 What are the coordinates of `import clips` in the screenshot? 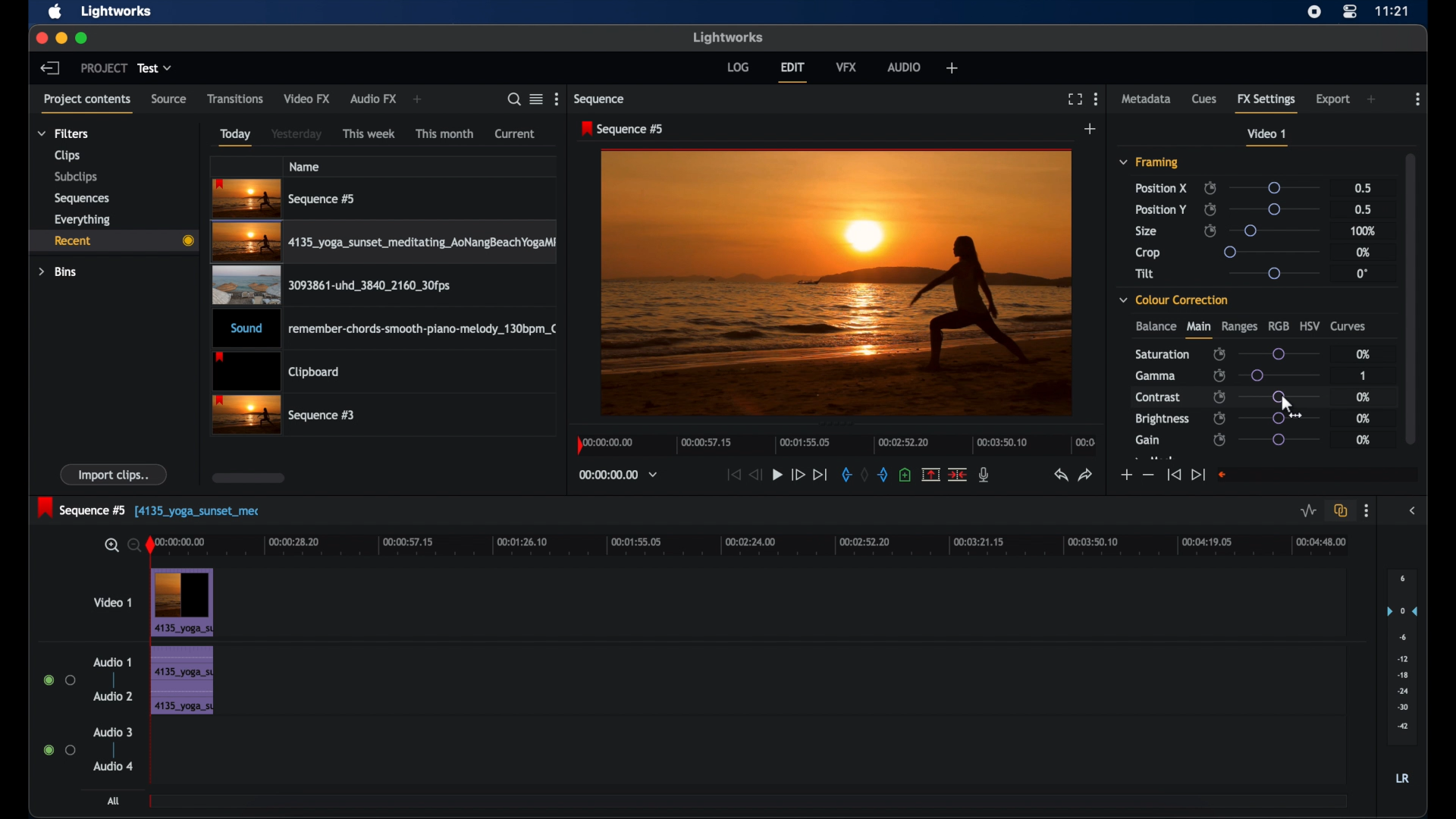 It's located at (115, 474).